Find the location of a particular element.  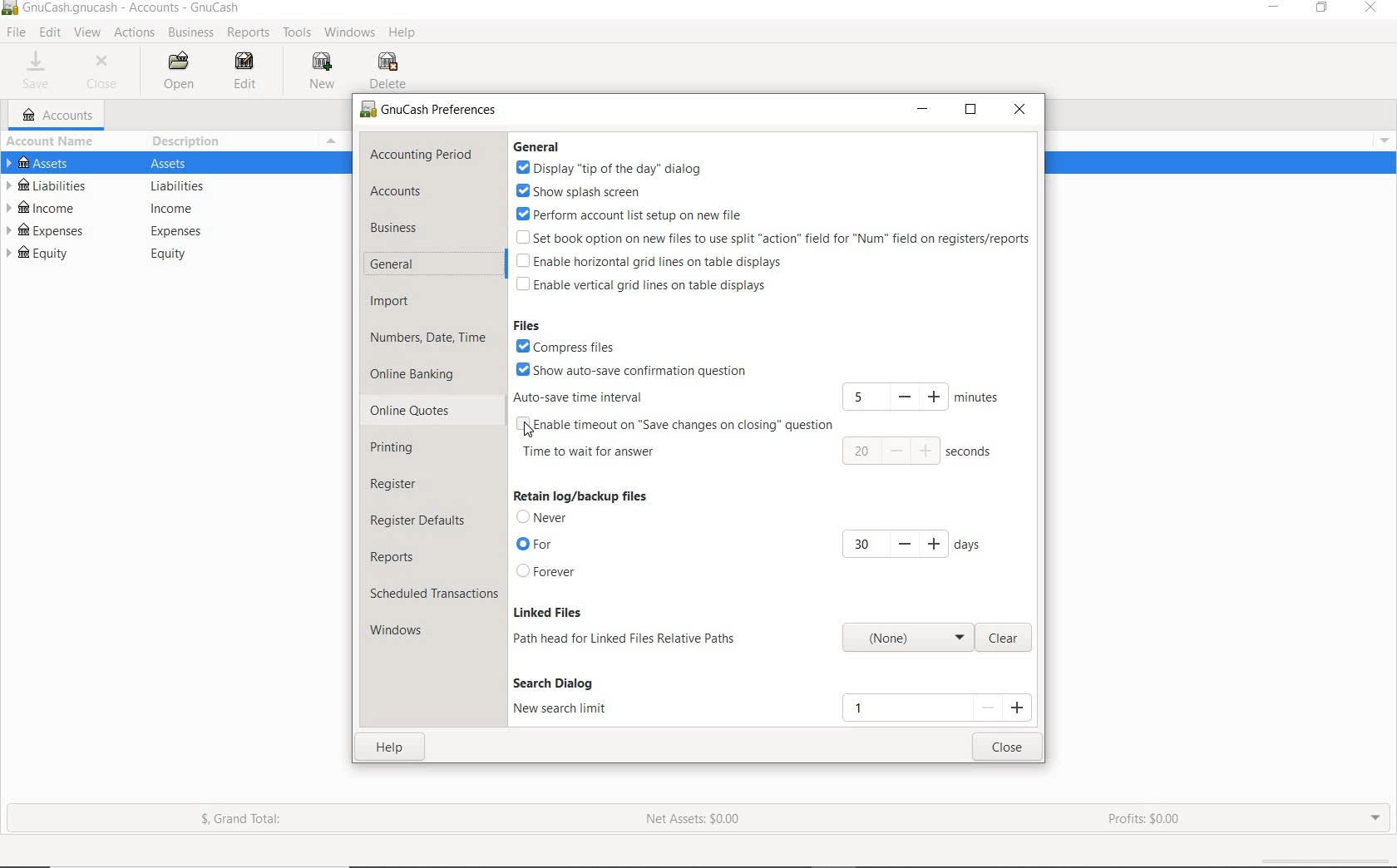

ACTIONS is located at coordinates (133, 34).